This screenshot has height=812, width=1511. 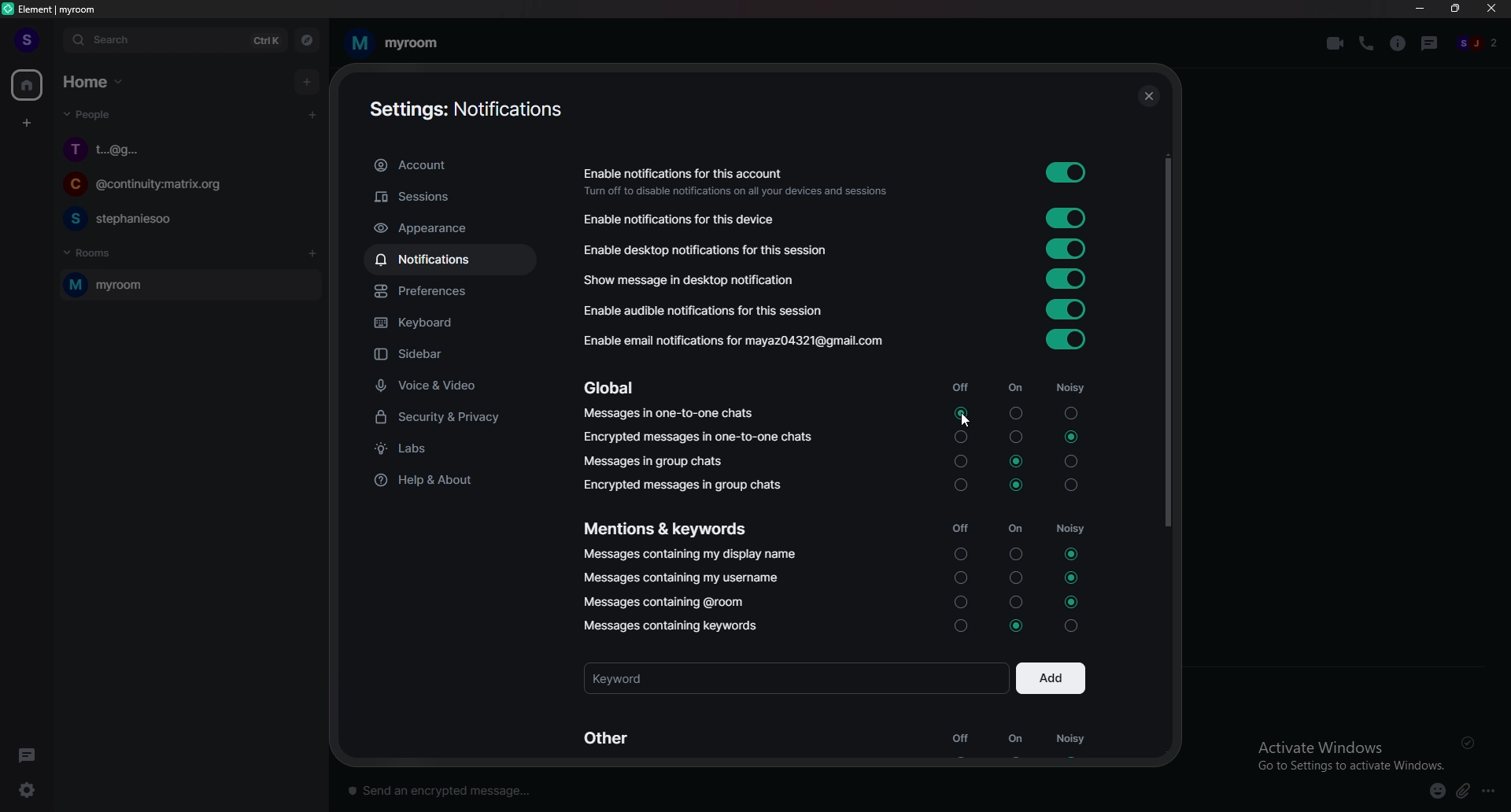 What do you see at coordinates (58, 9) in the screenshot?
I see `title` at bounding box center [58, 9].